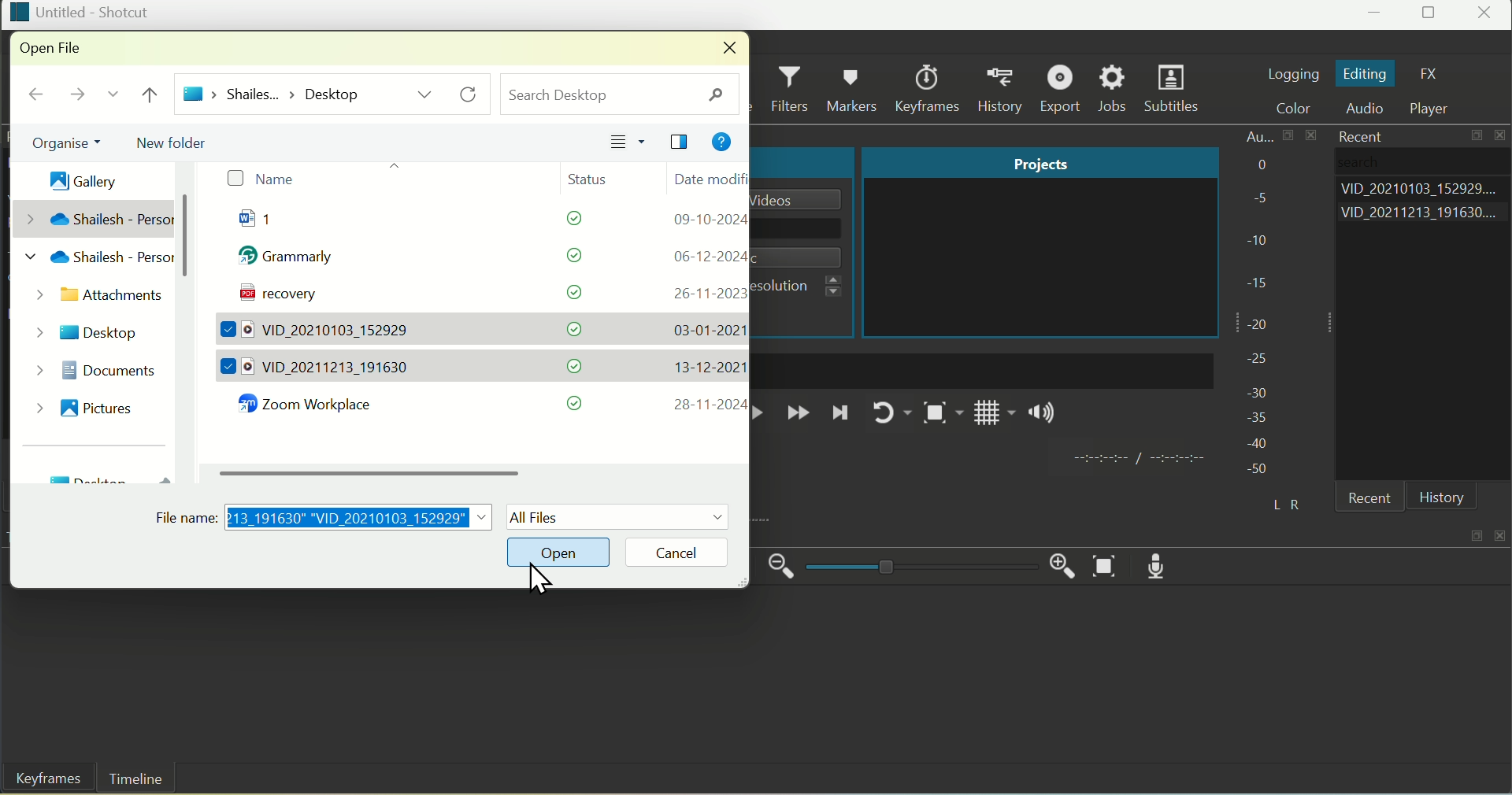  Describe the element at coordinates (1058, 563) in the screenshot. I see `Zoom in` at that location.